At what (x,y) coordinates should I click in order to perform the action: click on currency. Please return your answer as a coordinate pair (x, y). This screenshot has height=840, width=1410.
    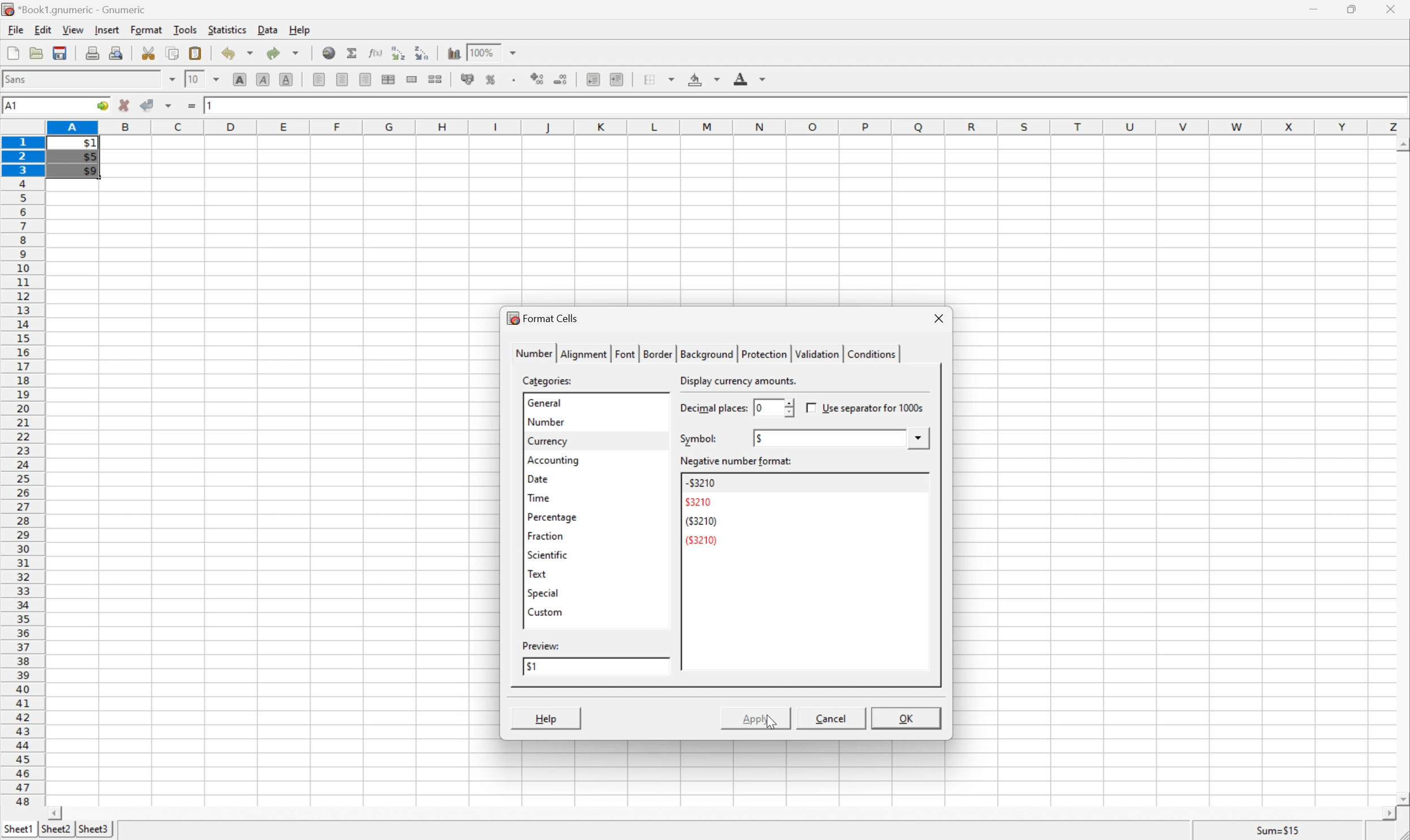
    Looking at the image, I should click on (546, 441).